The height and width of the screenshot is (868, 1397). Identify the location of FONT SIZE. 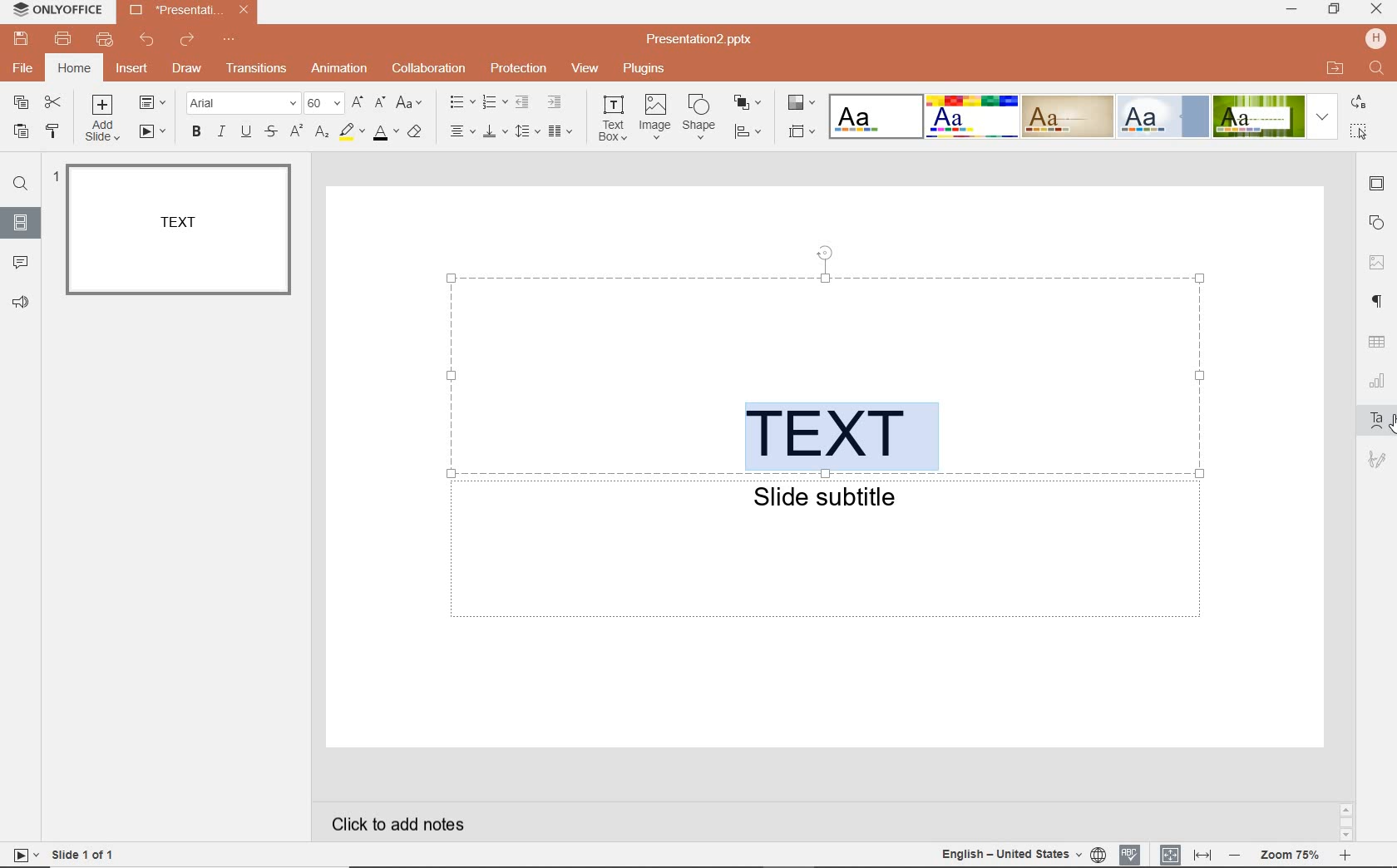
(325, 104).